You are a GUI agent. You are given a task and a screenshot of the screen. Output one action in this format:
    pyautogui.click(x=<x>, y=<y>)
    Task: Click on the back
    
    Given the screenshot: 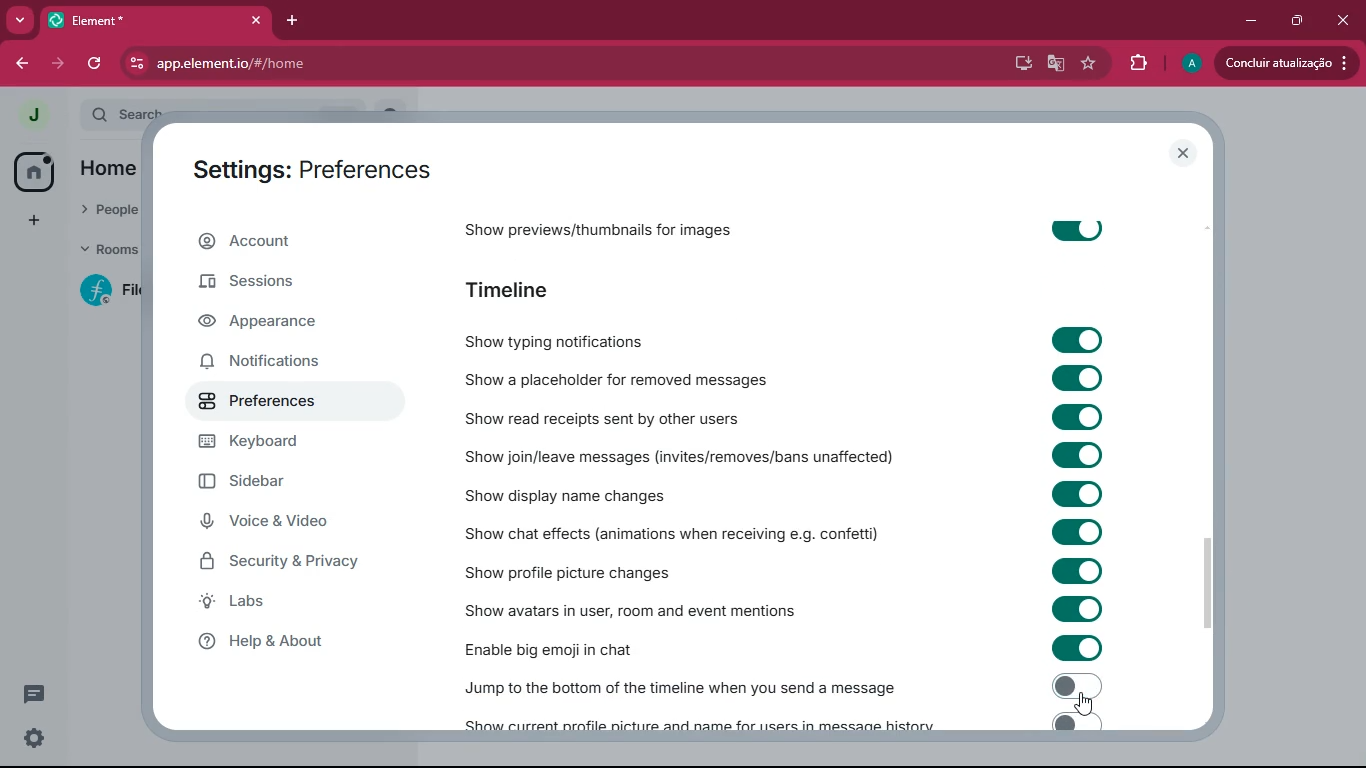 What is the action you would take?
    pyautogui.click(x=17, y=63)
    